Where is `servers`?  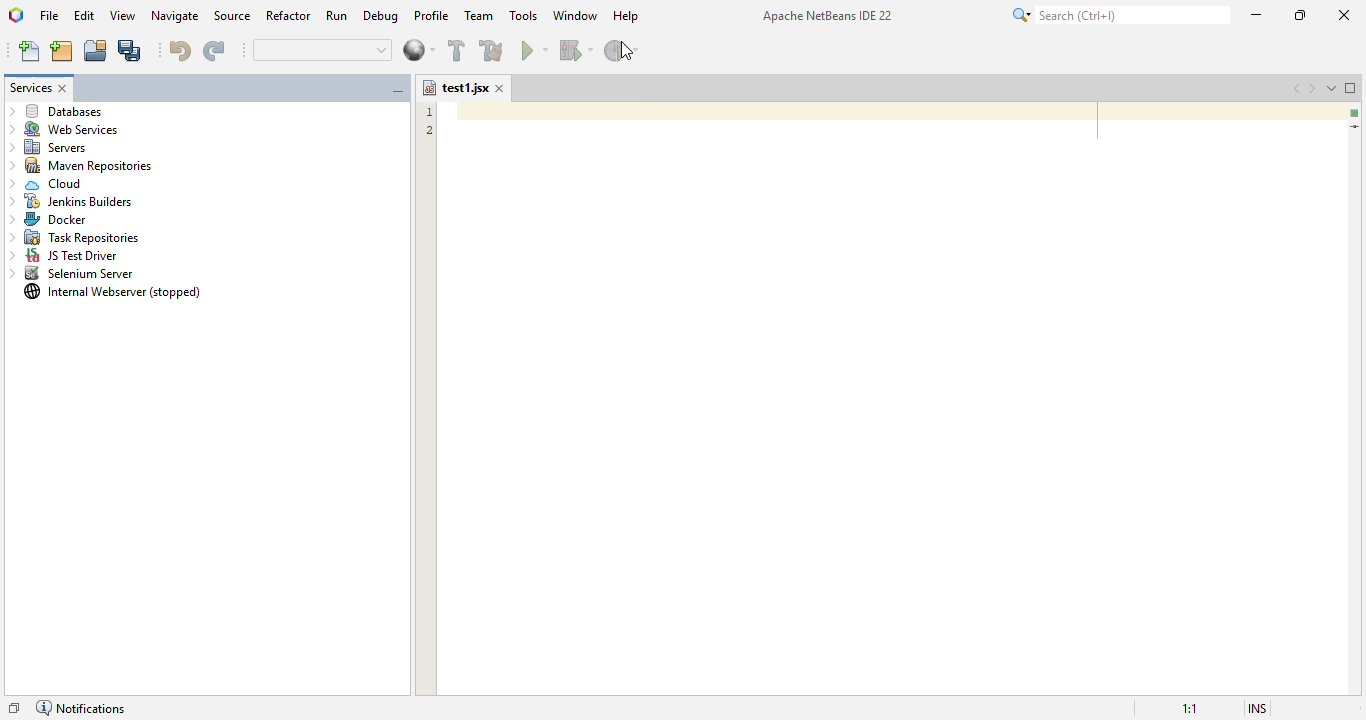
servers is located at coordinates (49, 147).